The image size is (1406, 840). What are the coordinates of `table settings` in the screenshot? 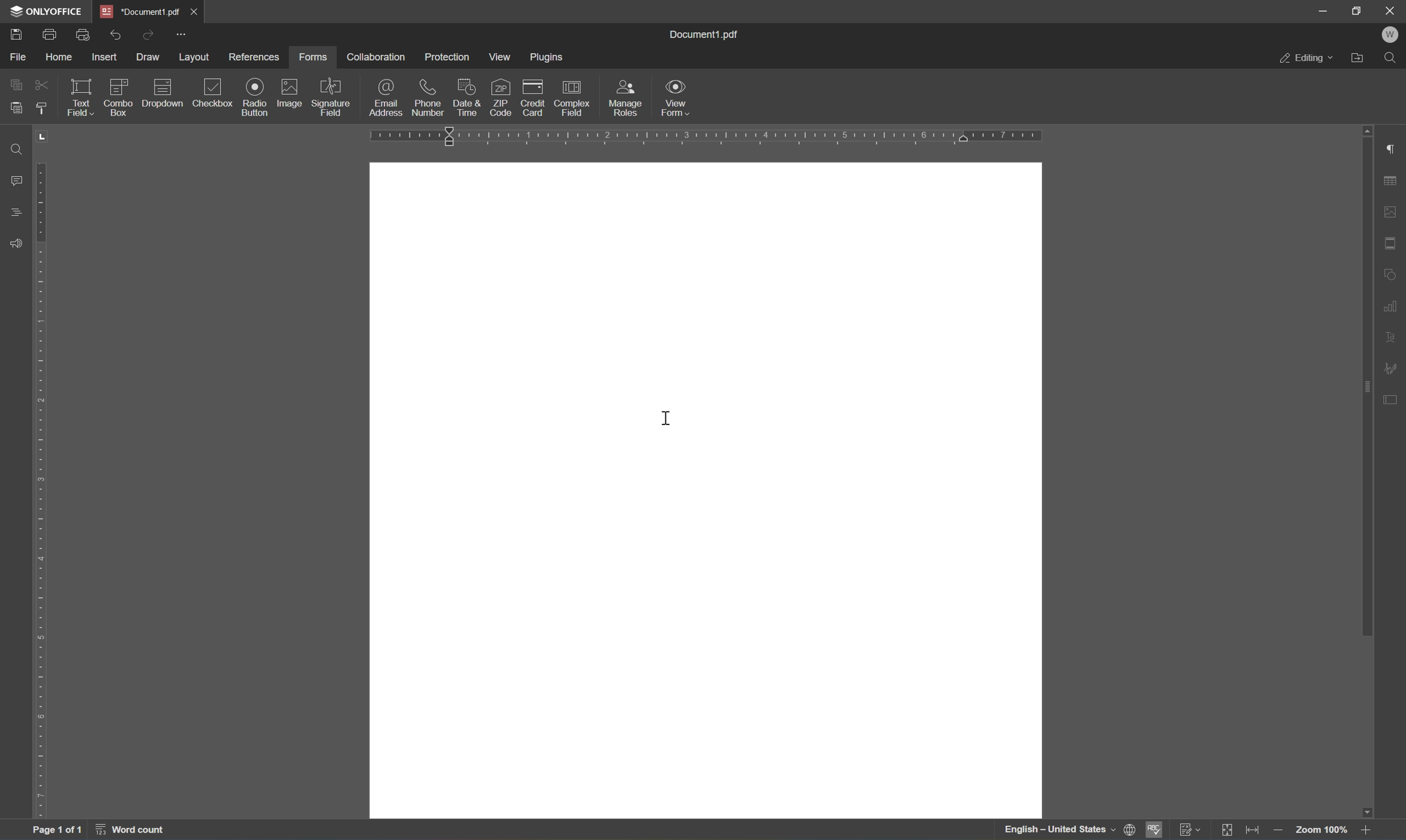 It's located at (1392, 179).